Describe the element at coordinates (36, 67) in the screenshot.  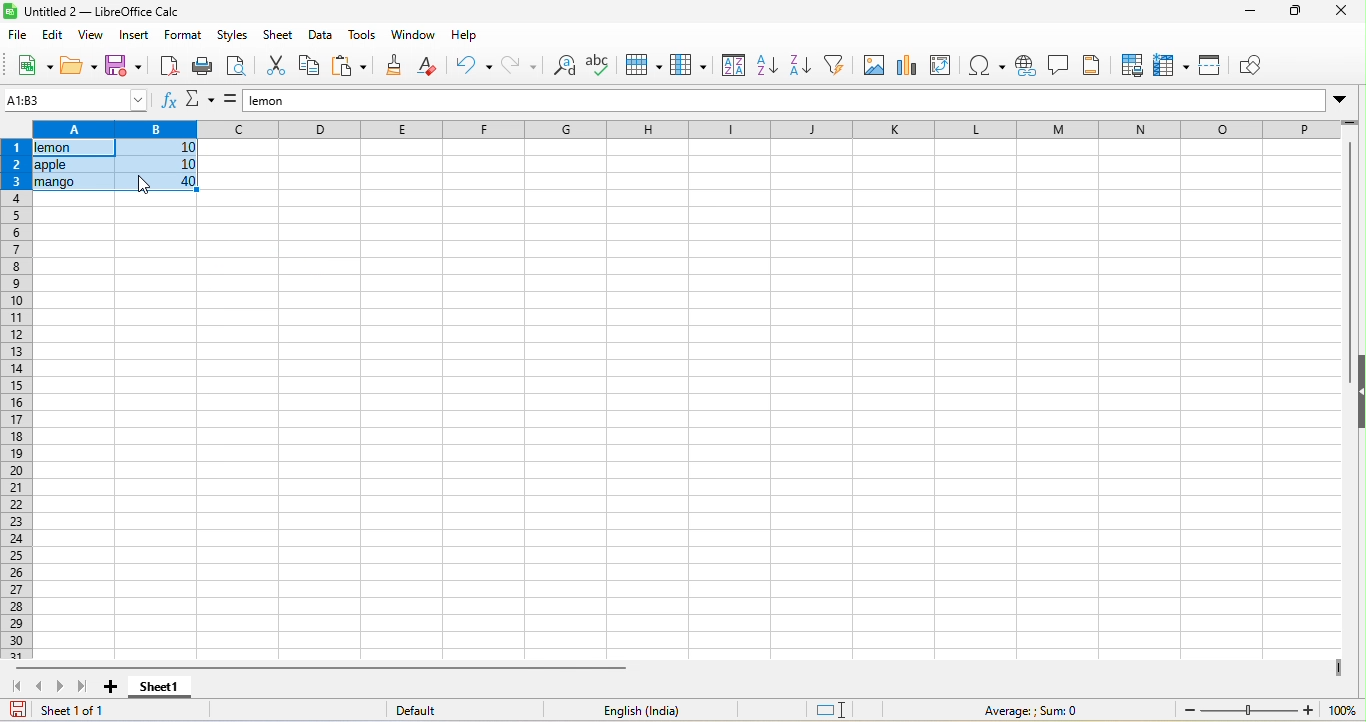
I see `new ` at that location.